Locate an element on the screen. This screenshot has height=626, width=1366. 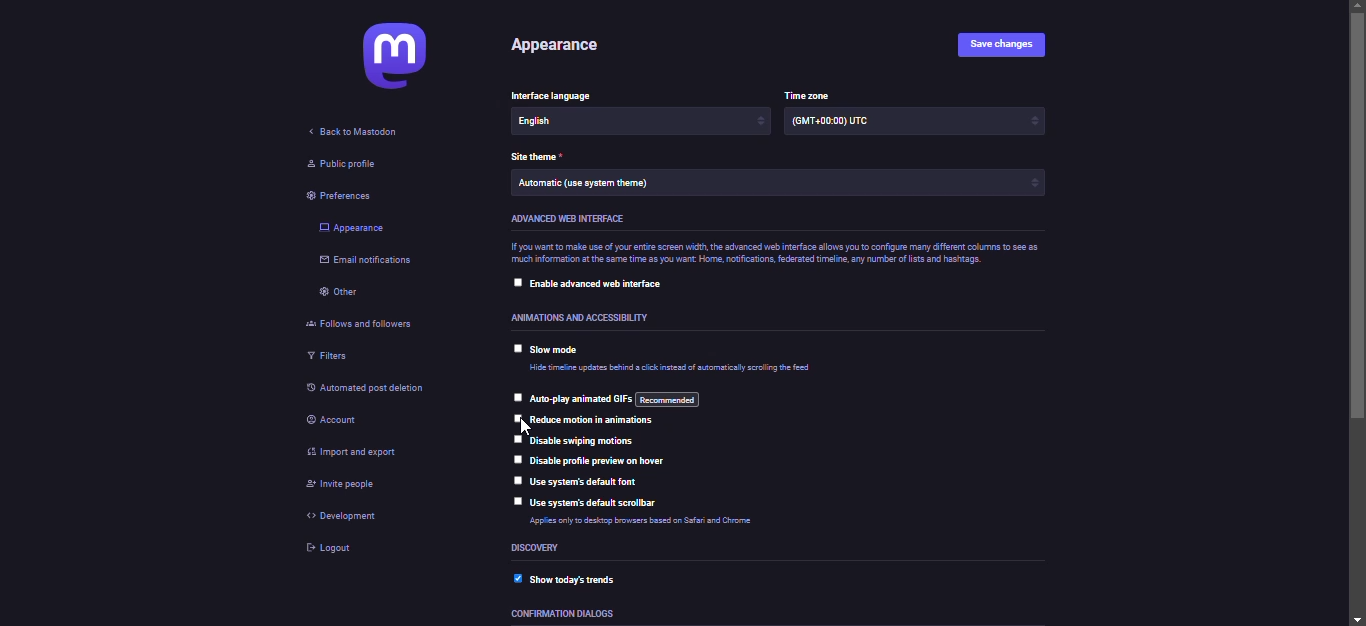
click to select is located at coordinates (514, 420).